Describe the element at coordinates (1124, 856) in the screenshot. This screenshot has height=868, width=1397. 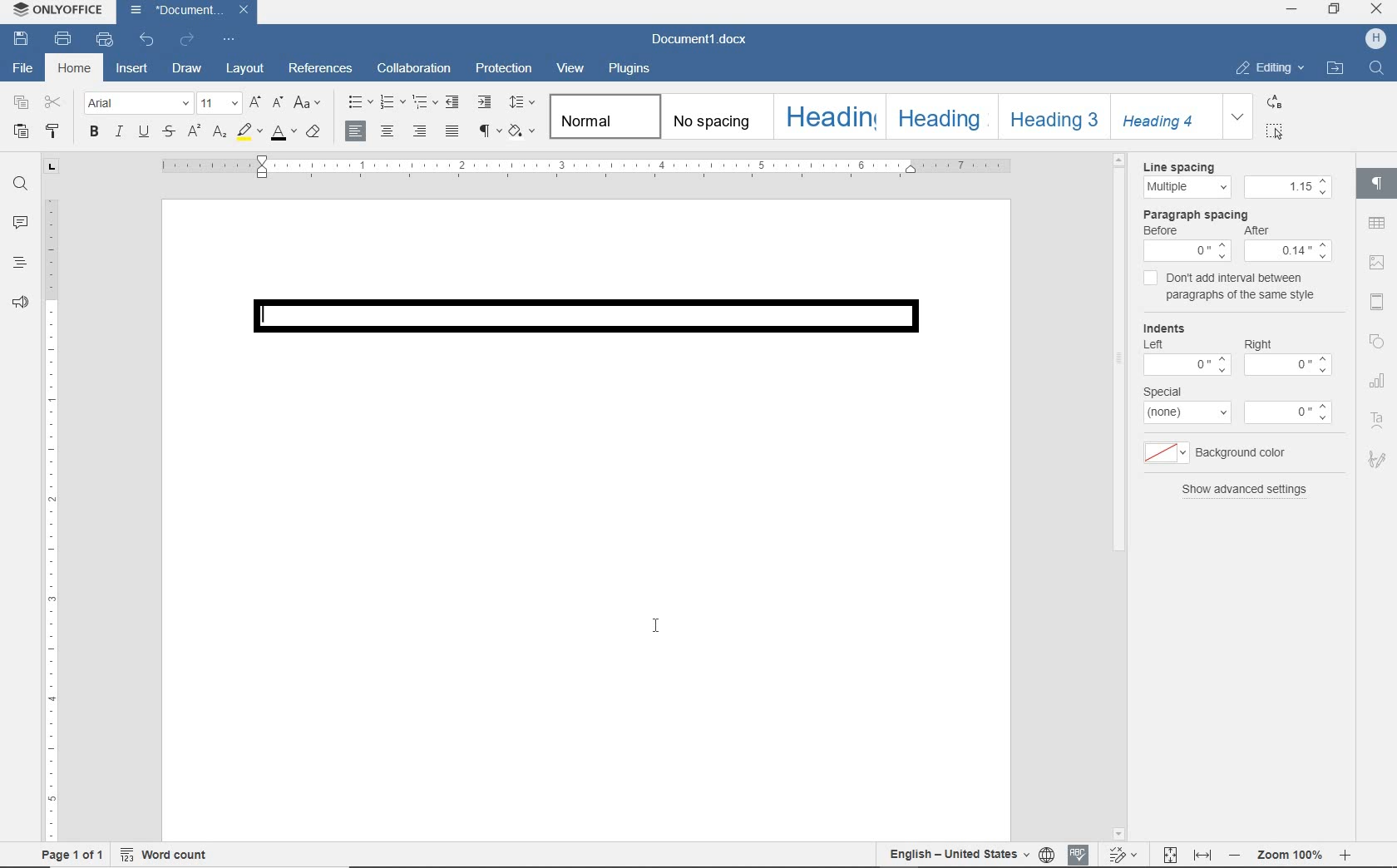
I see `Track changes` at that location.